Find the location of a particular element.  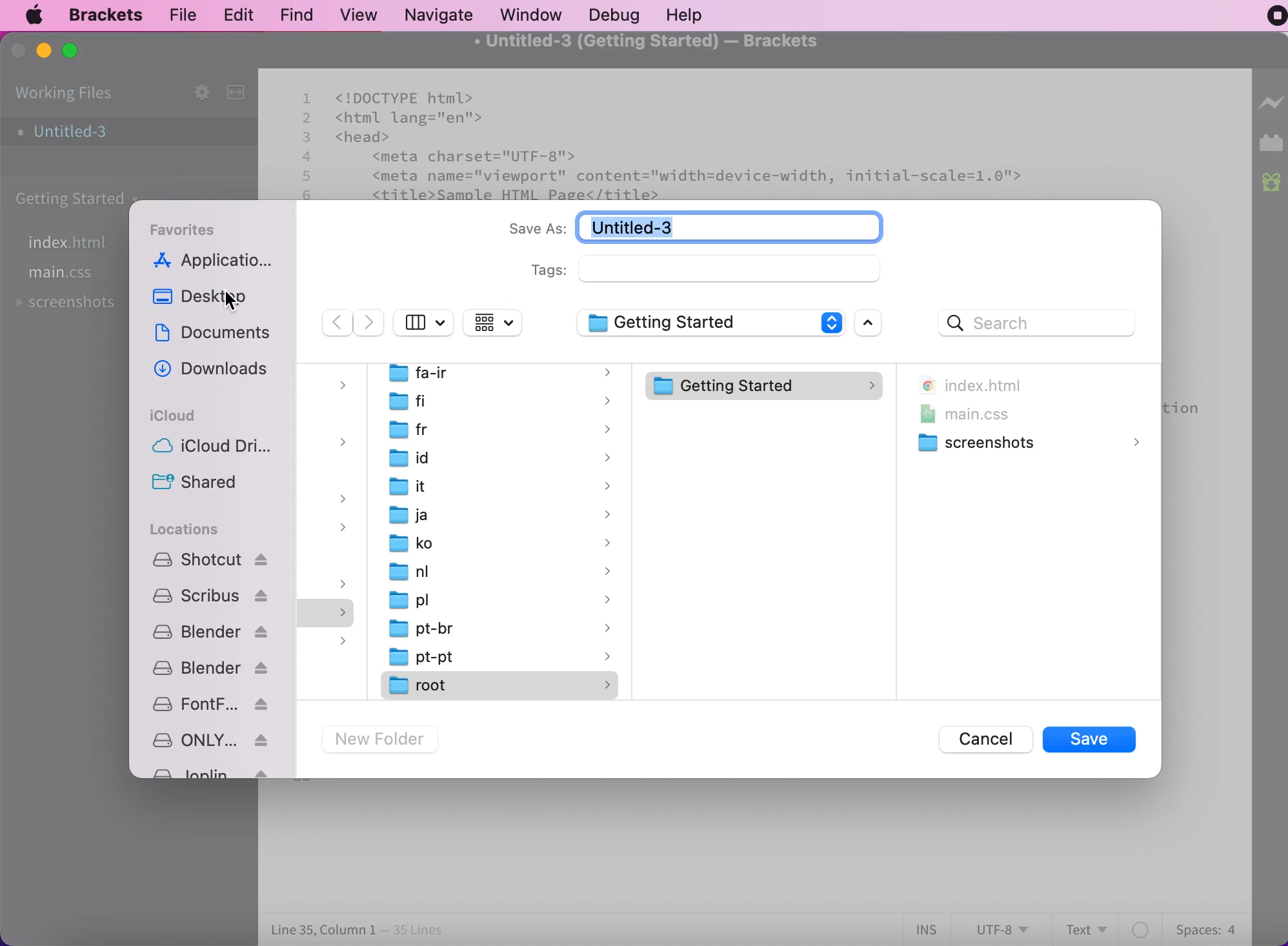

mac logo is located at coordinates (37, 16).